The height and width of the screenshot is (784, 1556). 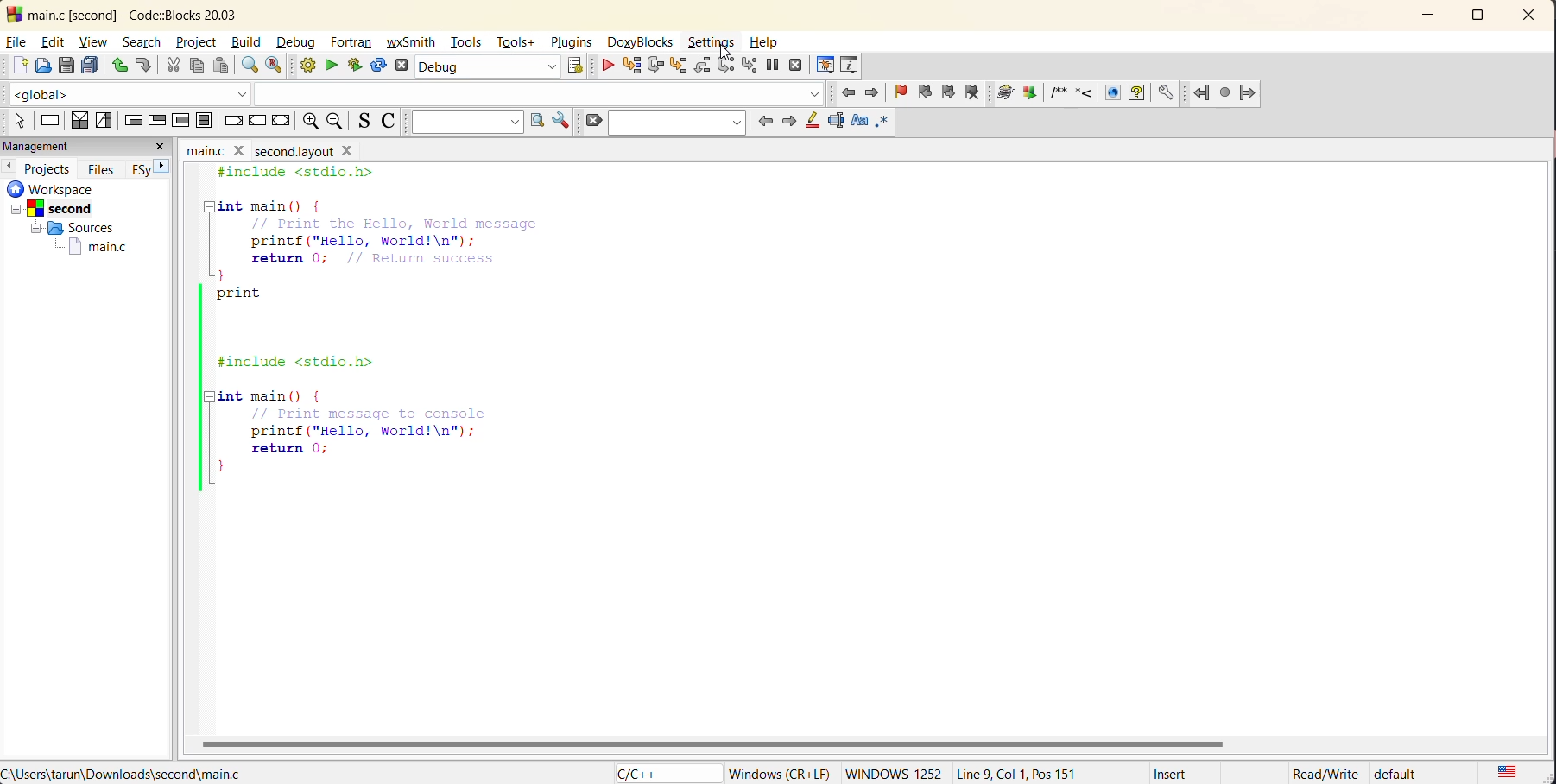 What do you see at coordinates (249, 42) in the screenshot?
I see `build` at bounding box center [249, 42].